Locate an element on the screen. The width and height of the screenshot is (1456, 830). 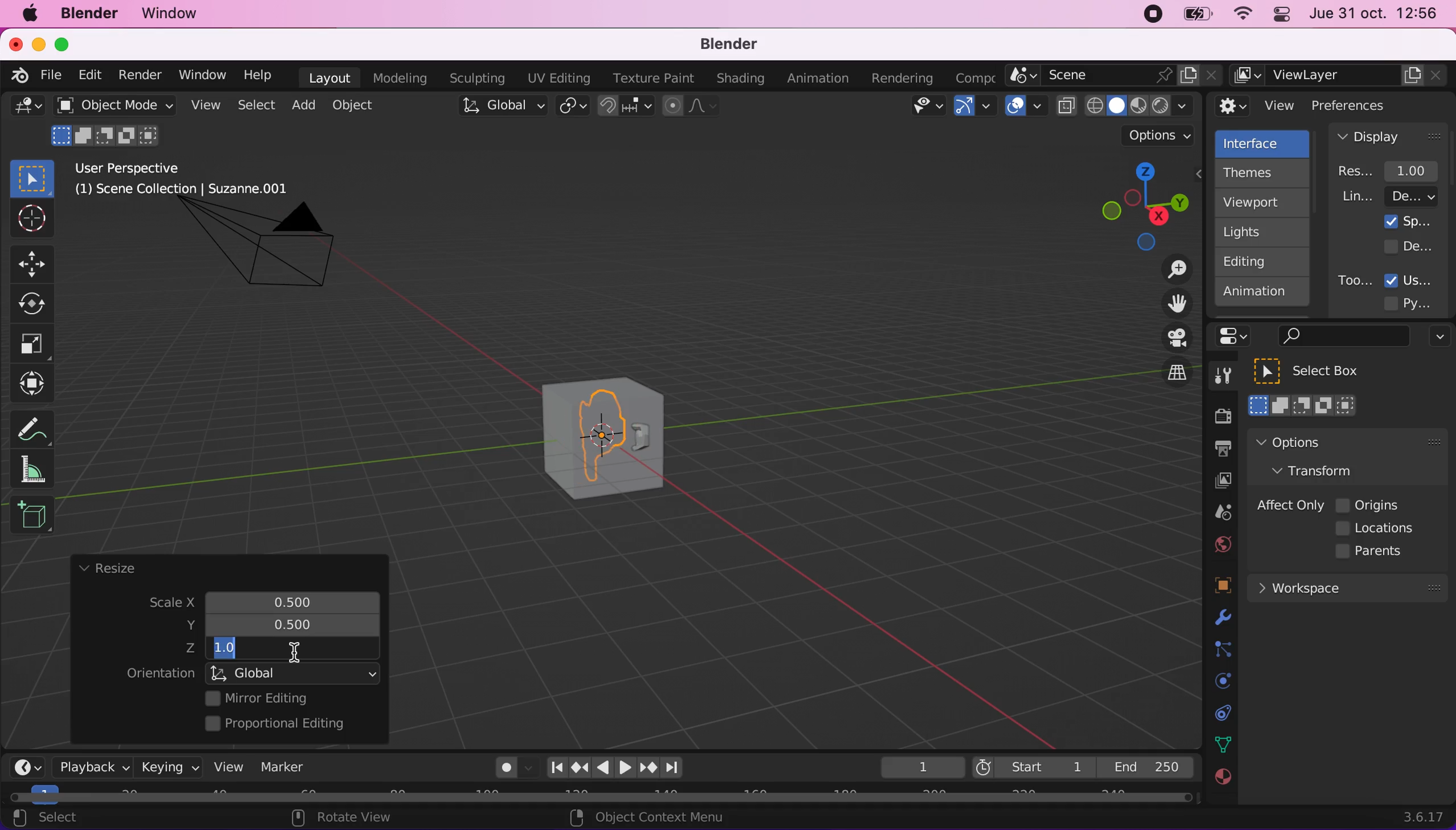
add cube is located at coordinates (32, 516).